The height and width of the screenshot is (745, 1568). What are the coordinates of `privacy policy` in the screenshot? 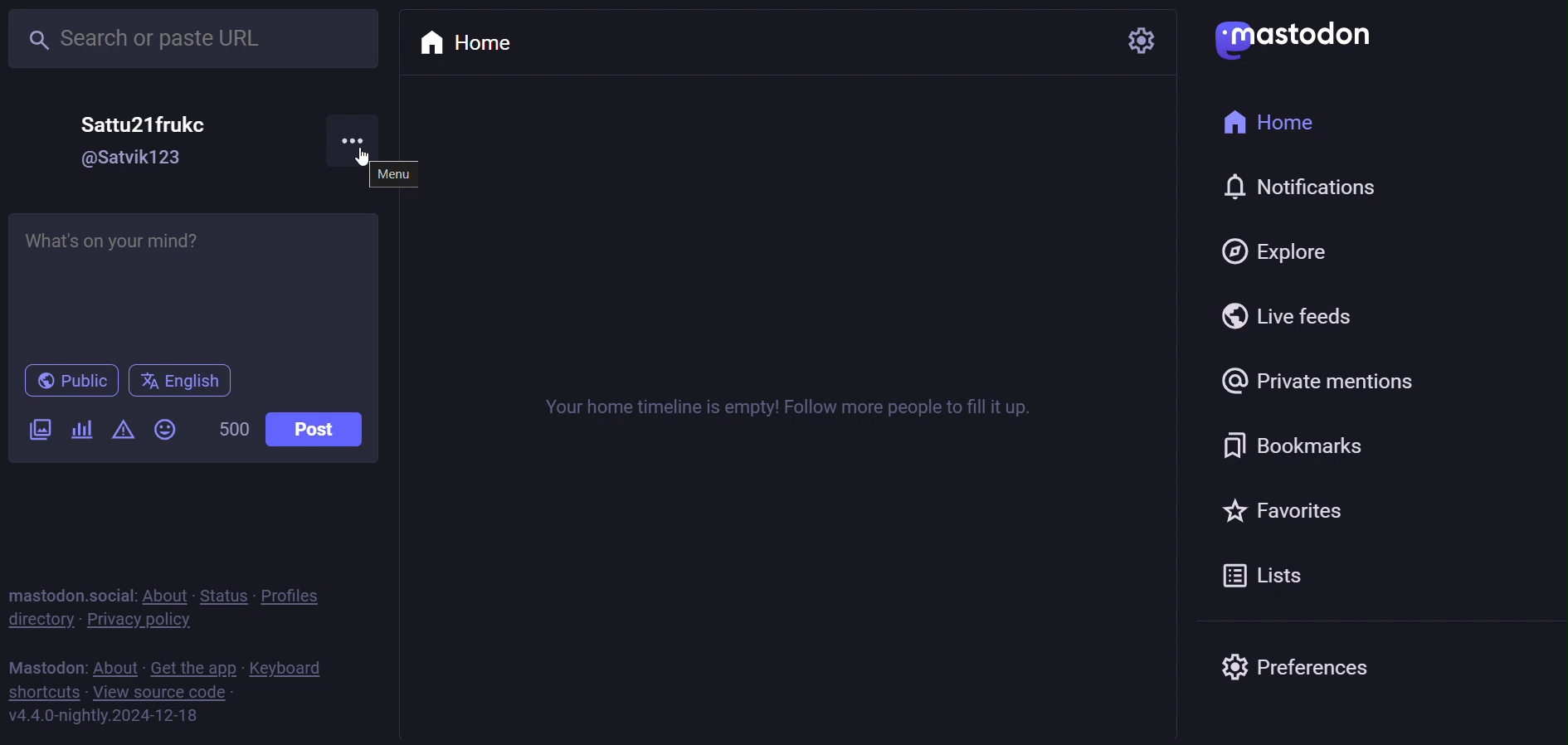 It's located at (152, 621).